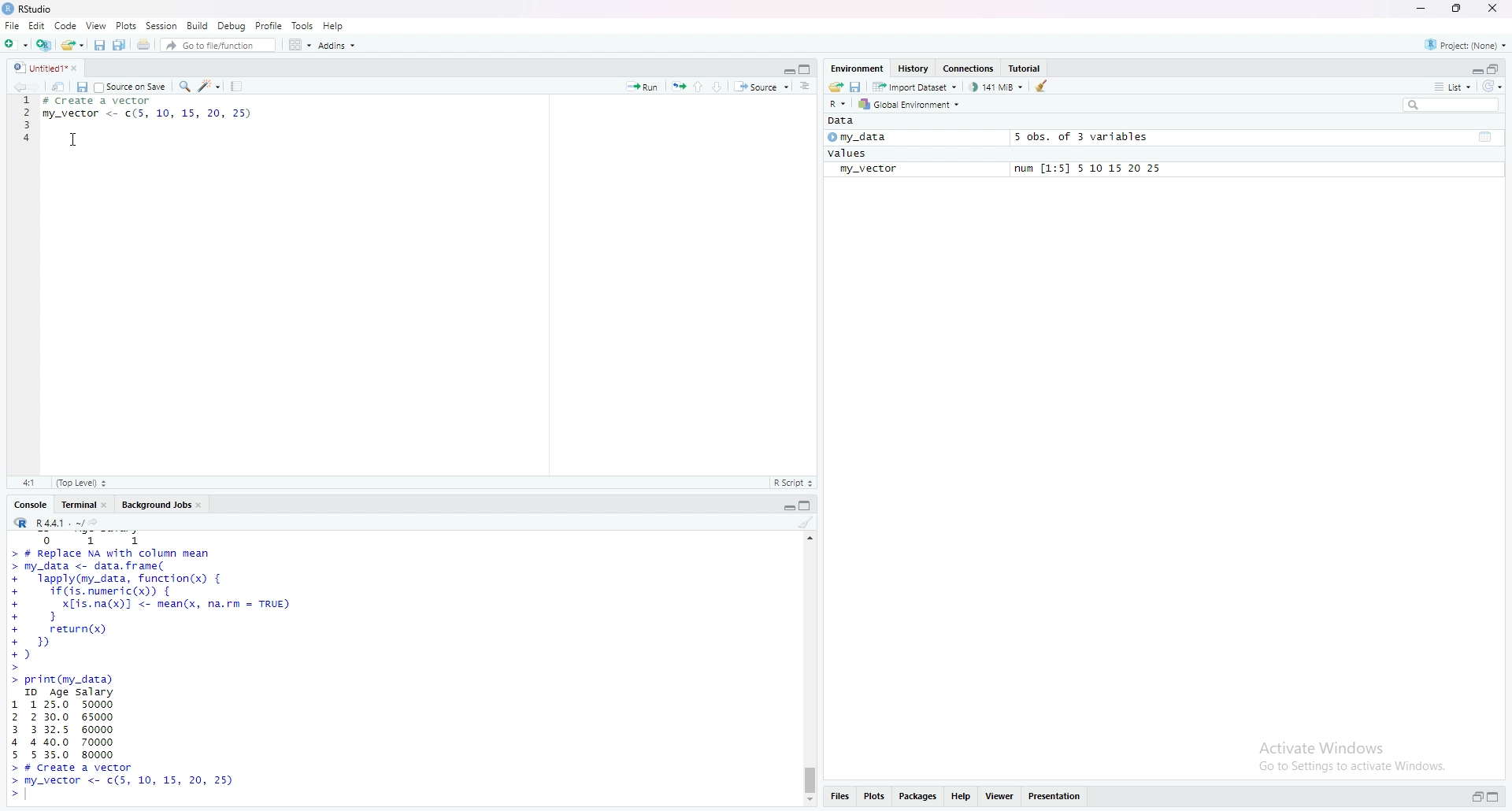 The image size is (1512, 811). I want to click on show document online, so click(810, 87).